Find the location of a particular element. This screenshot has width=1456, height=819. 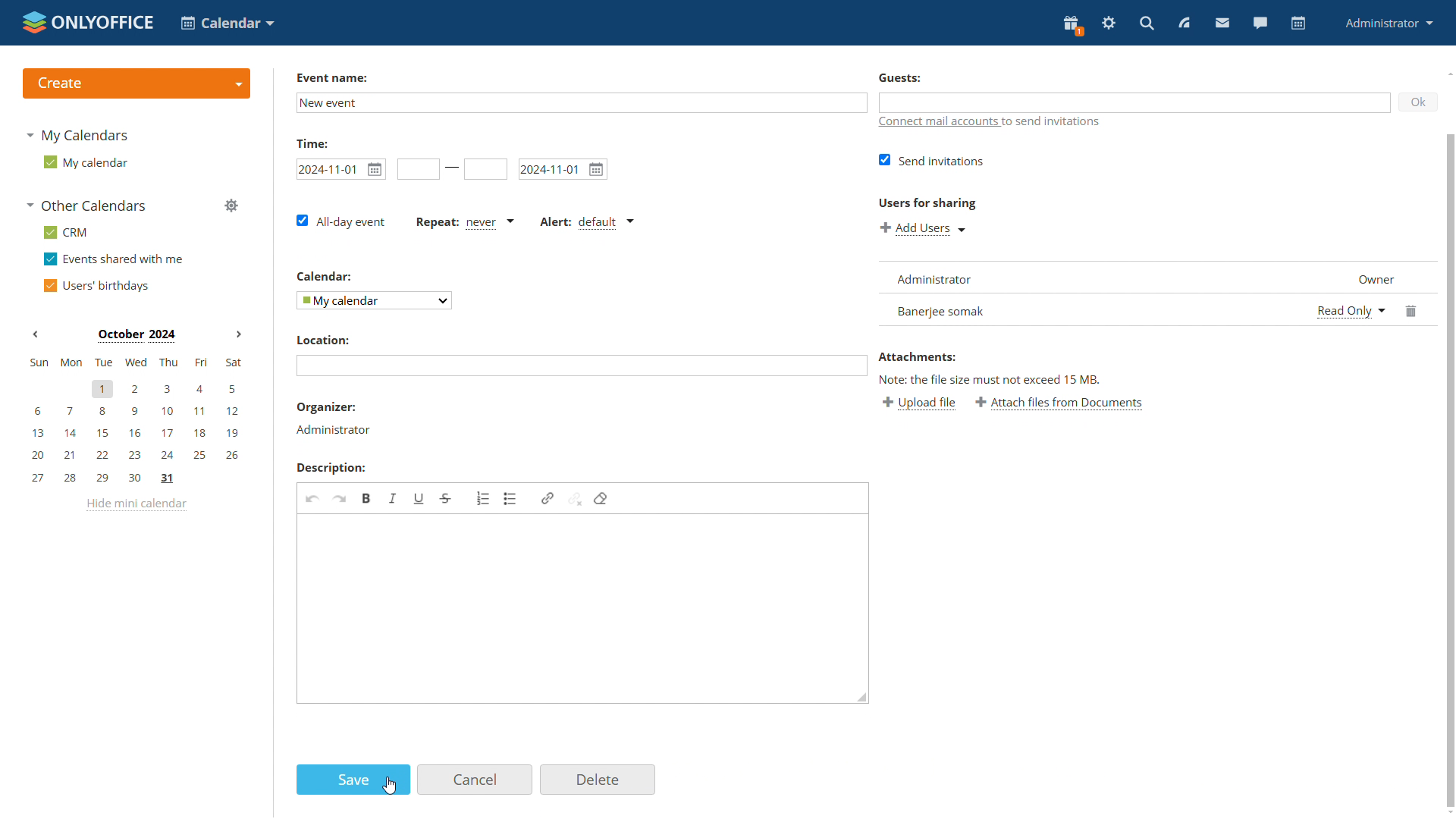

bold is located at coordinates (367, 497).